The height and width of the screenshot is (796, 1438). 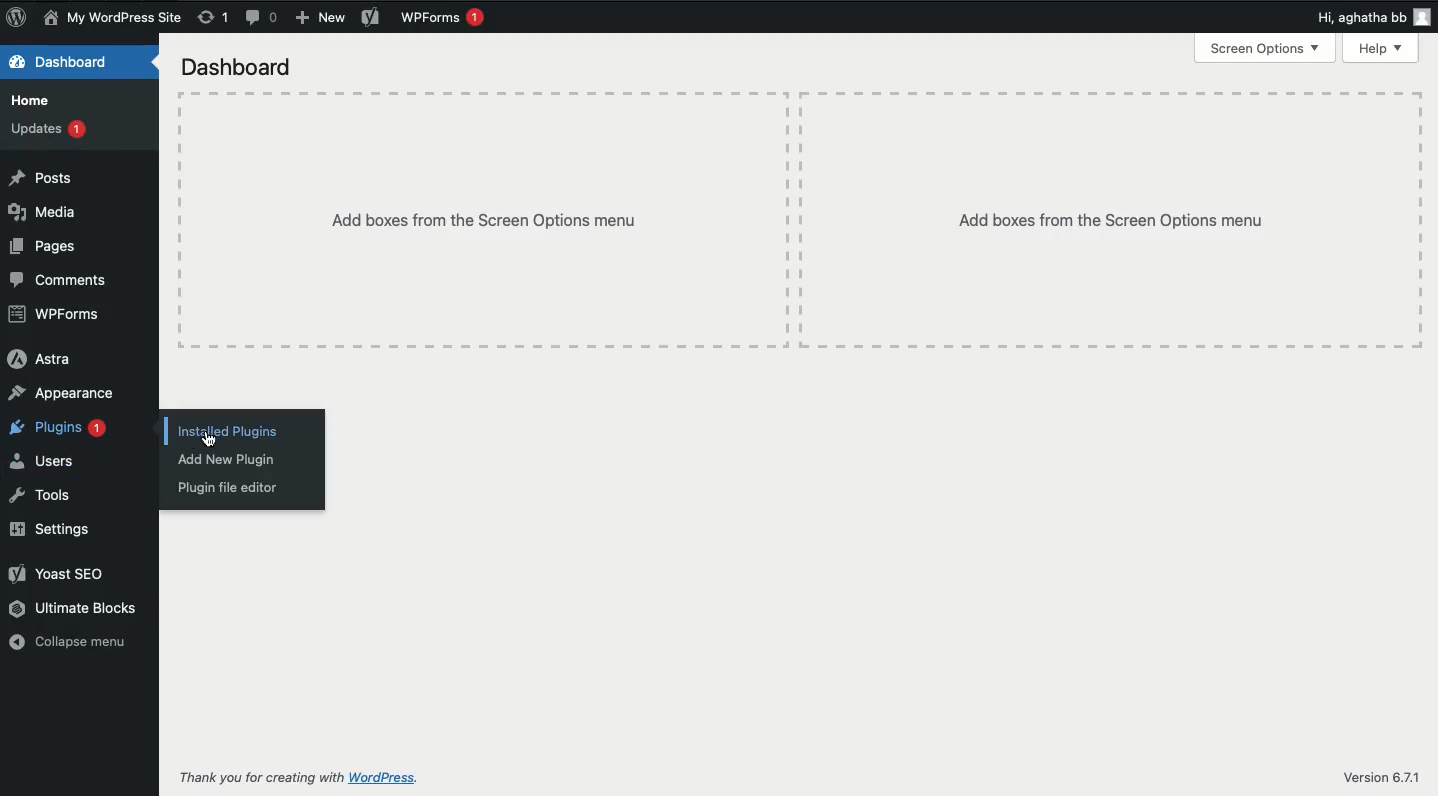 I want to click on Settings, so click(x=57, y=531).